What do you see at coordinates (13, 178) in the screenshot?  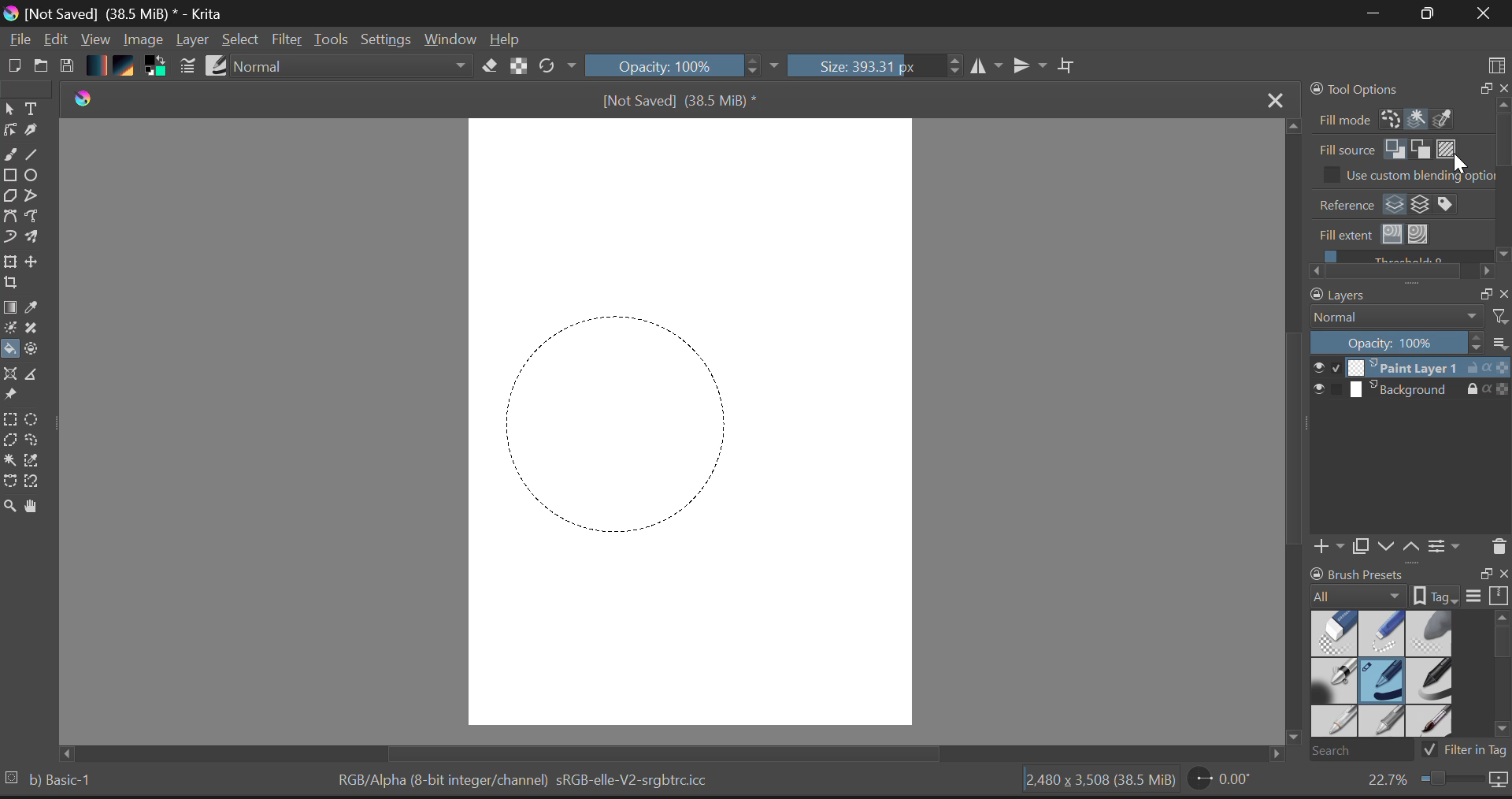 I see `Rectangle` at bounding box center [13, 178].